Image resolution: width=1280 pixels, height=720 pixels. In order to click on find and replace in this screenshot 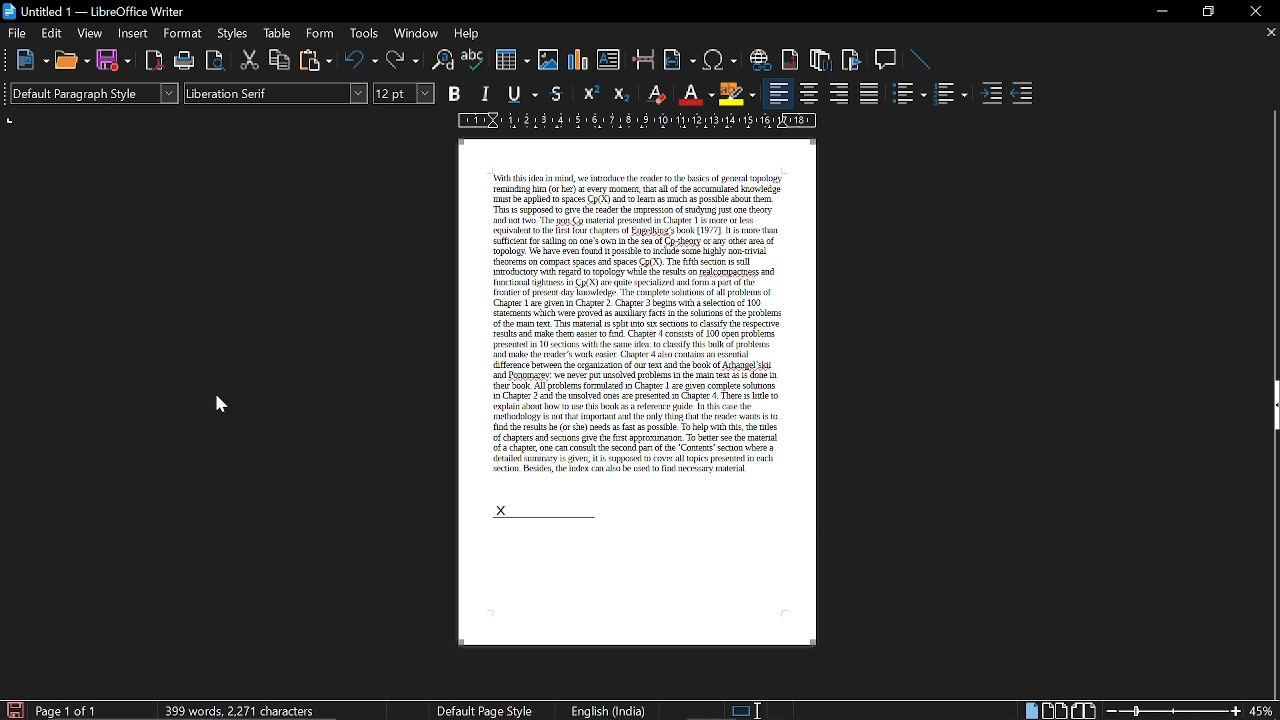, I will do `click(443, 60)`.